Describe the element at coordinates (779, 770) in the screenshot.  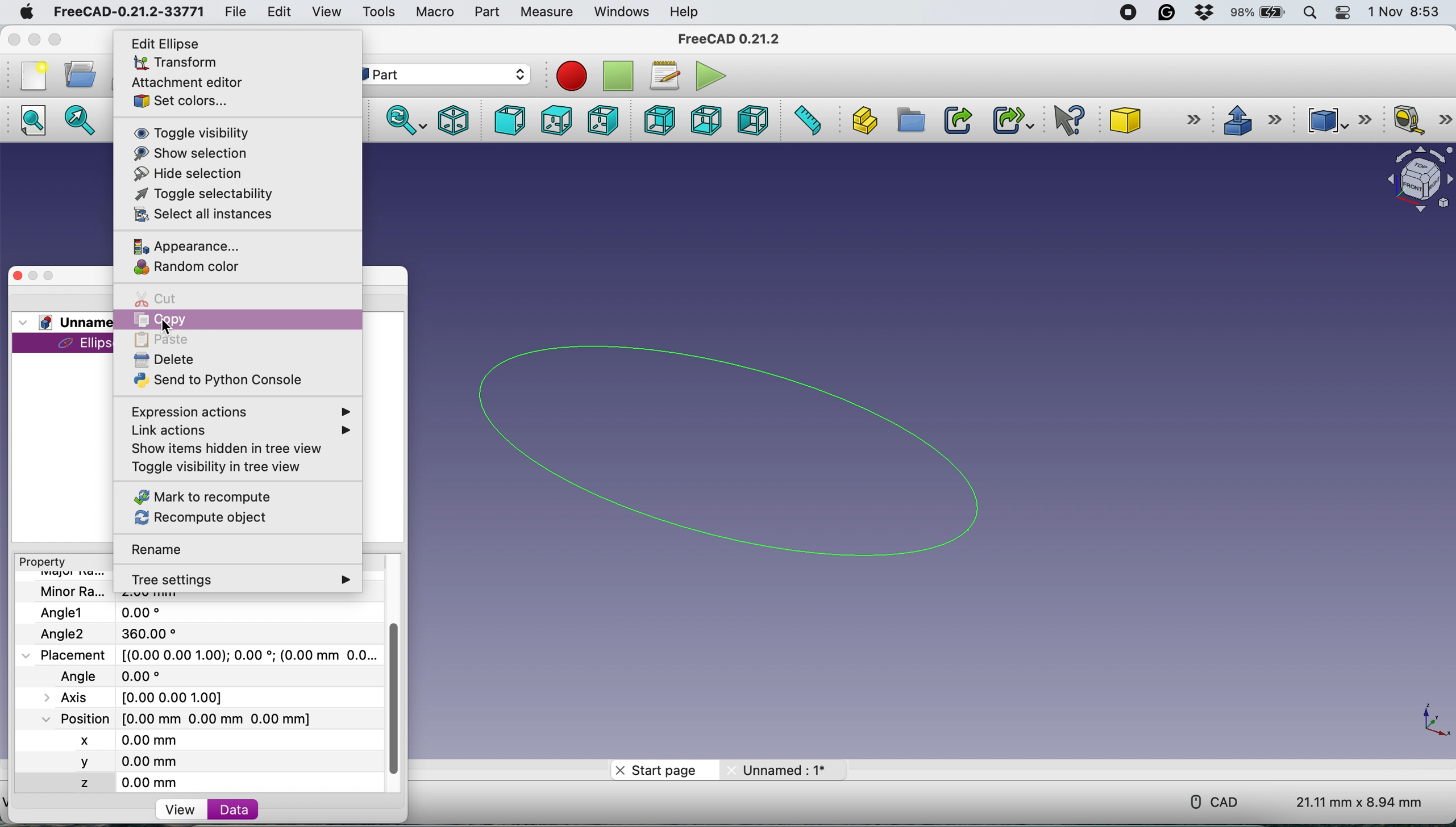
I see `unnamed` at that location.